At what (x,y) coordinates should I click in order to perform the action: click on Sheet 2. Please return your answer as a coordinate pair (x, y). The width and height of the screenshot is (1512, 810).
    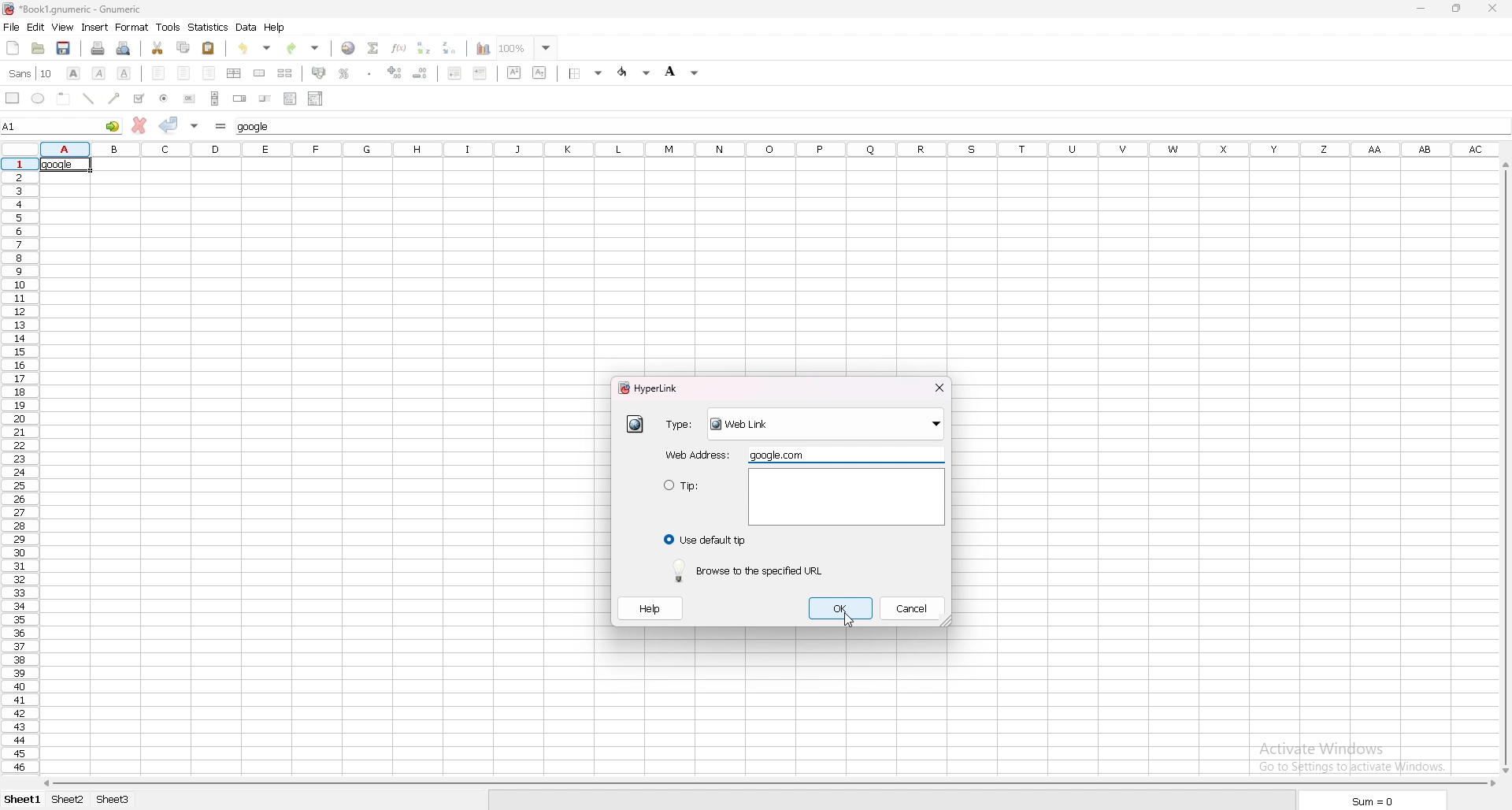
    Looking at the image, I should click on (66, 801).